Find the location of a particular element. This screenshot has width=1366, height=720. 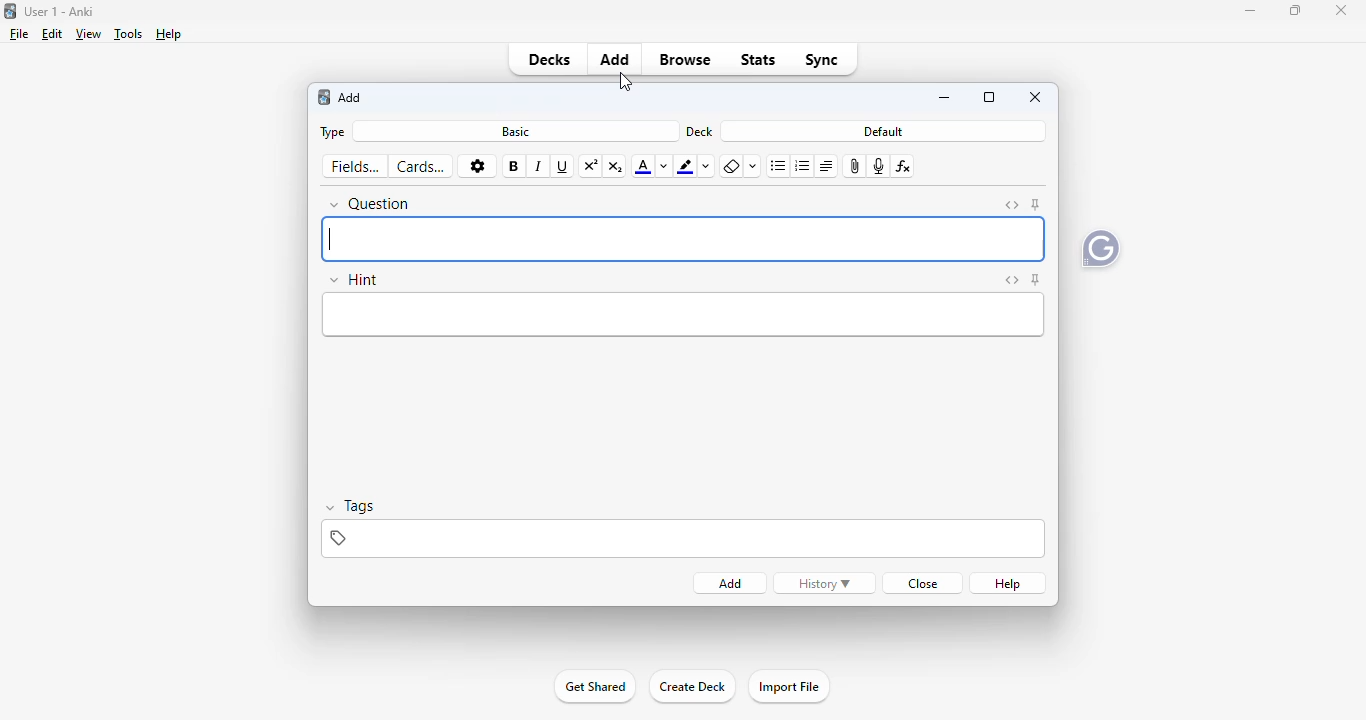

minimize is located at coordinates (1250, 11).